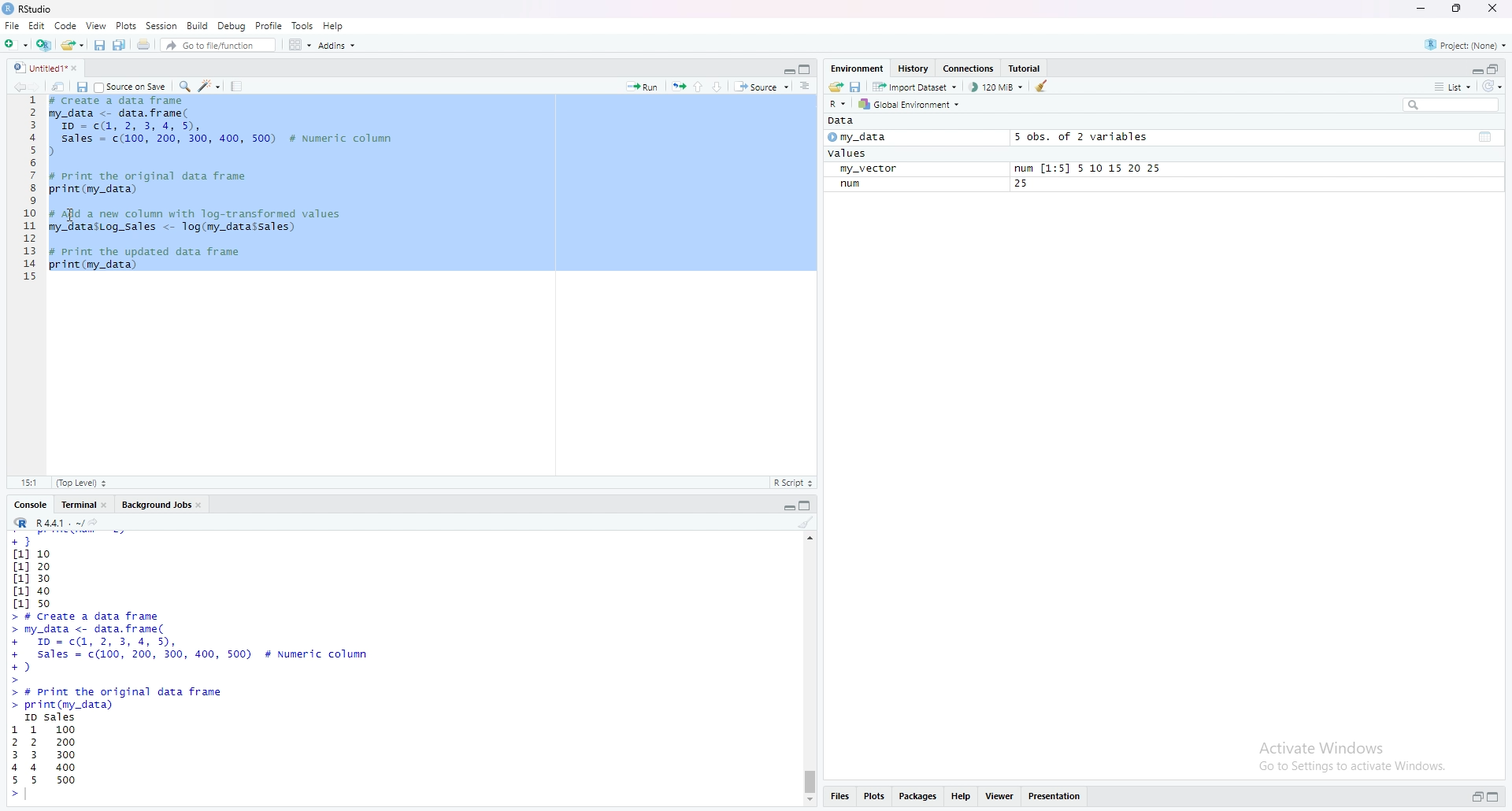  Describe the element at coordinates (9, 9) in the screenshot. I see `RStudio logo` at that location.